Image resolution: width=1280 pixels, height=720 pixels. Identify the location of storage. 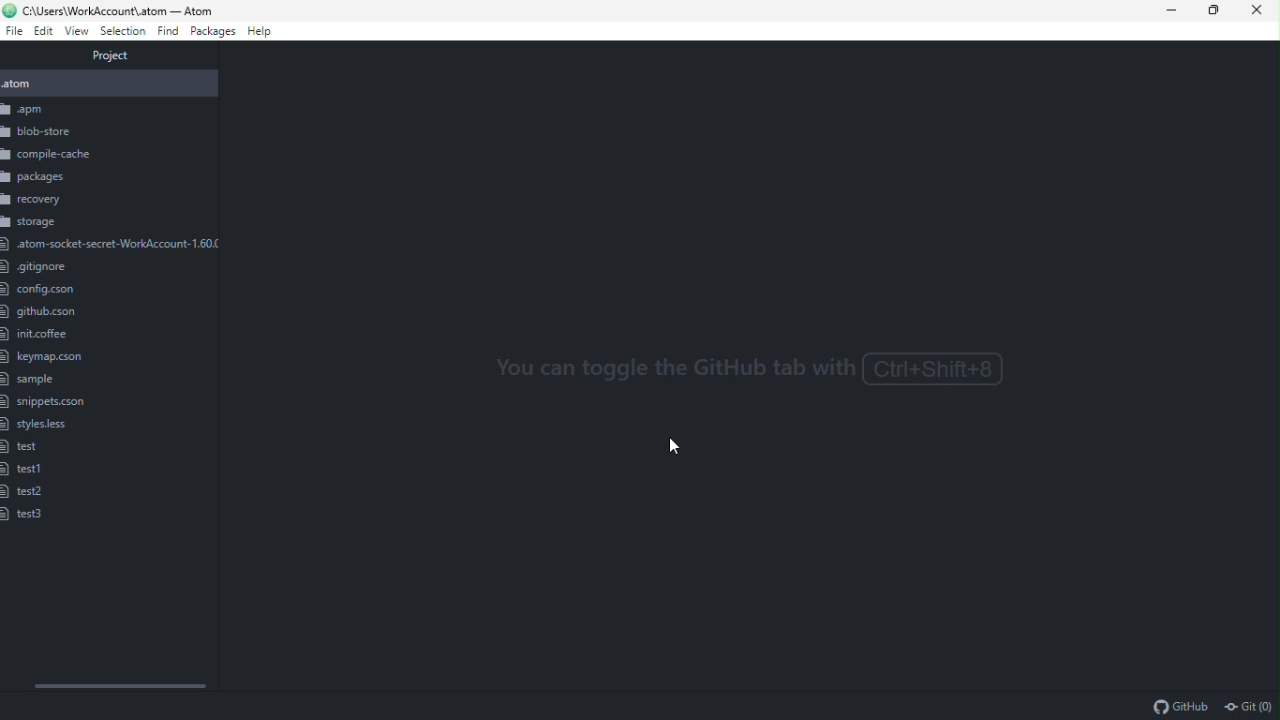
(32, 223).